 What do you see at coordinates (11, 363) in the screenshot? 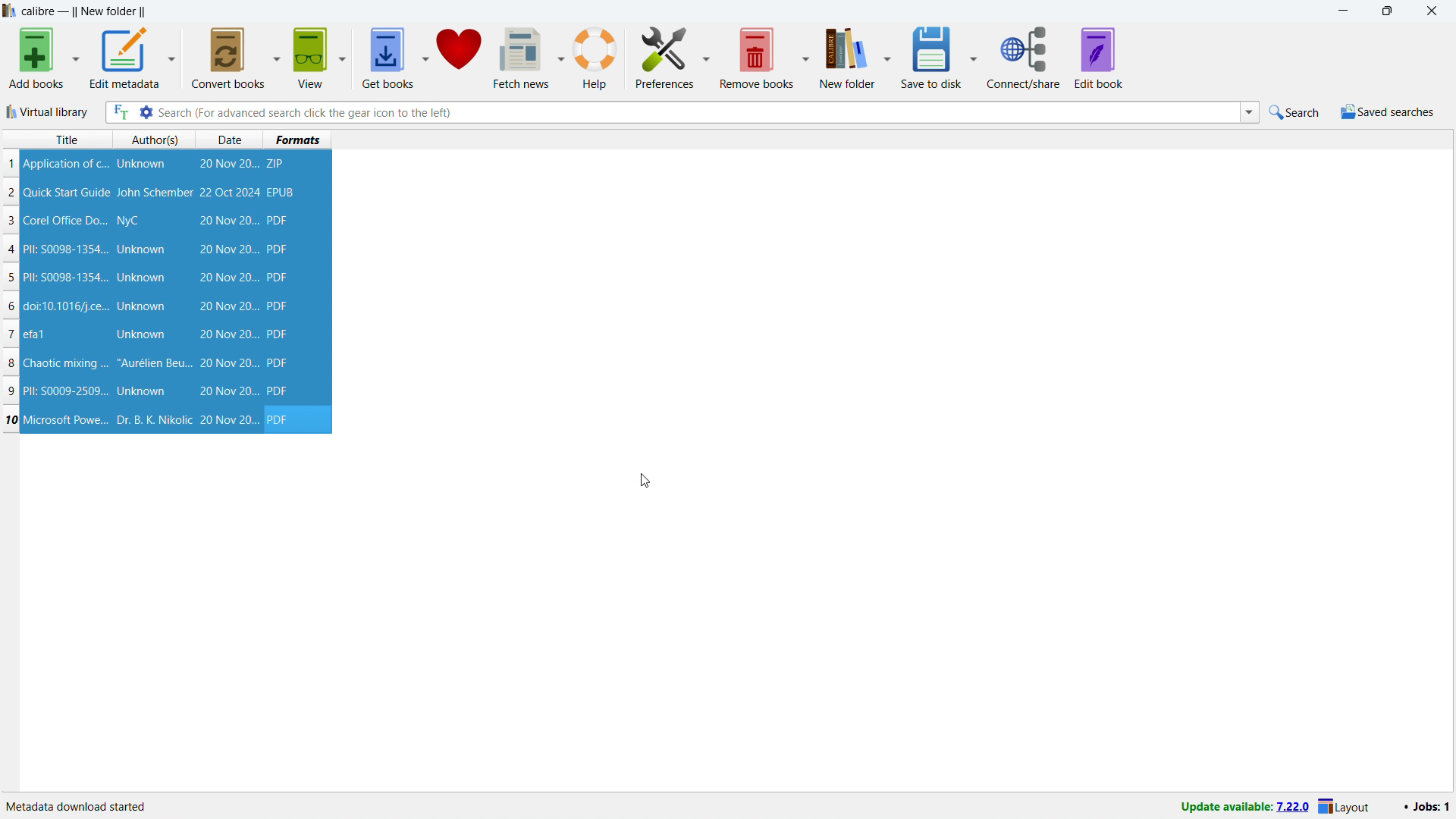
I see `8` at bounding box center [11, 363].